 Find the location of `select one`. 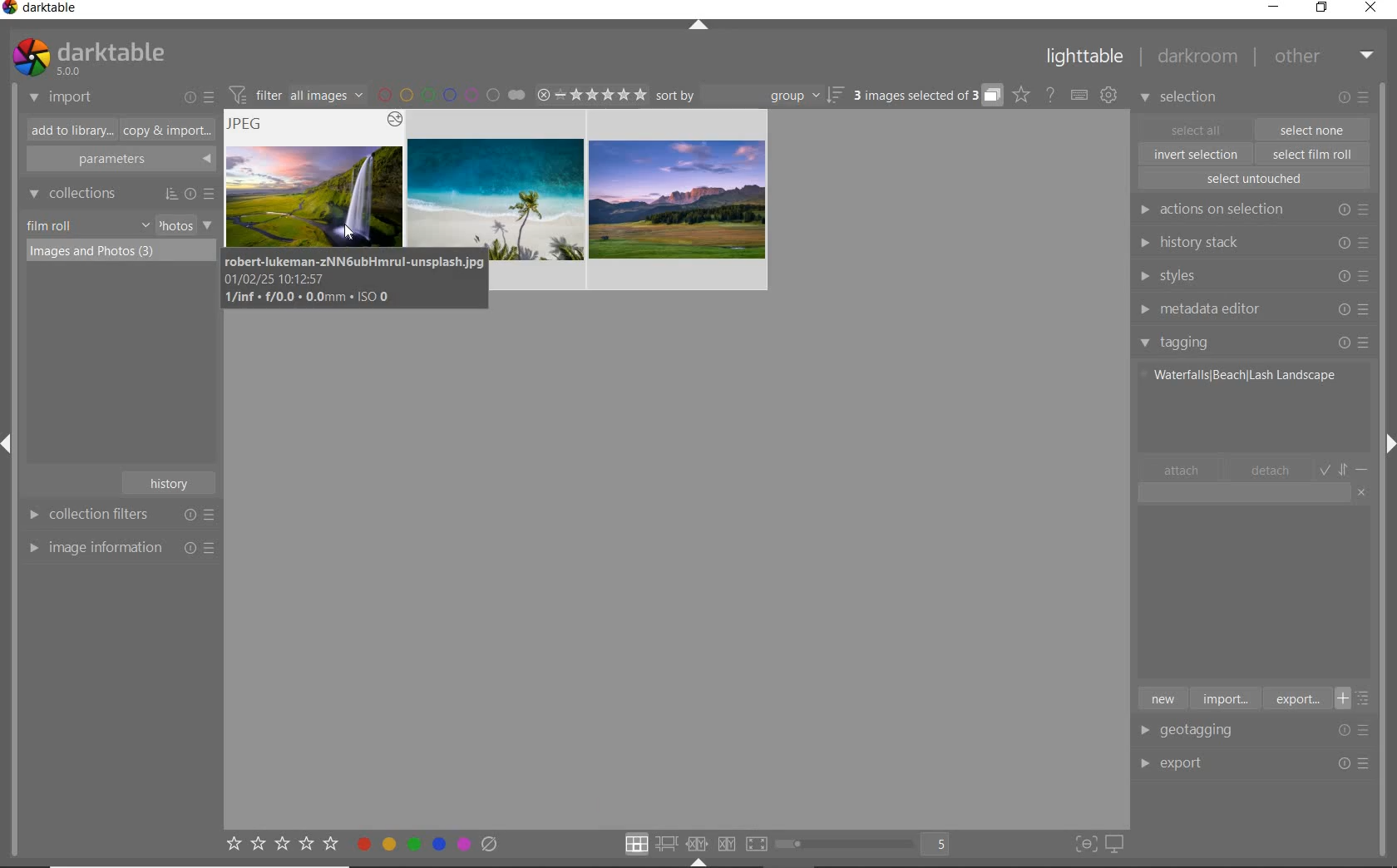

select one is located at coordinates (1312, 129).